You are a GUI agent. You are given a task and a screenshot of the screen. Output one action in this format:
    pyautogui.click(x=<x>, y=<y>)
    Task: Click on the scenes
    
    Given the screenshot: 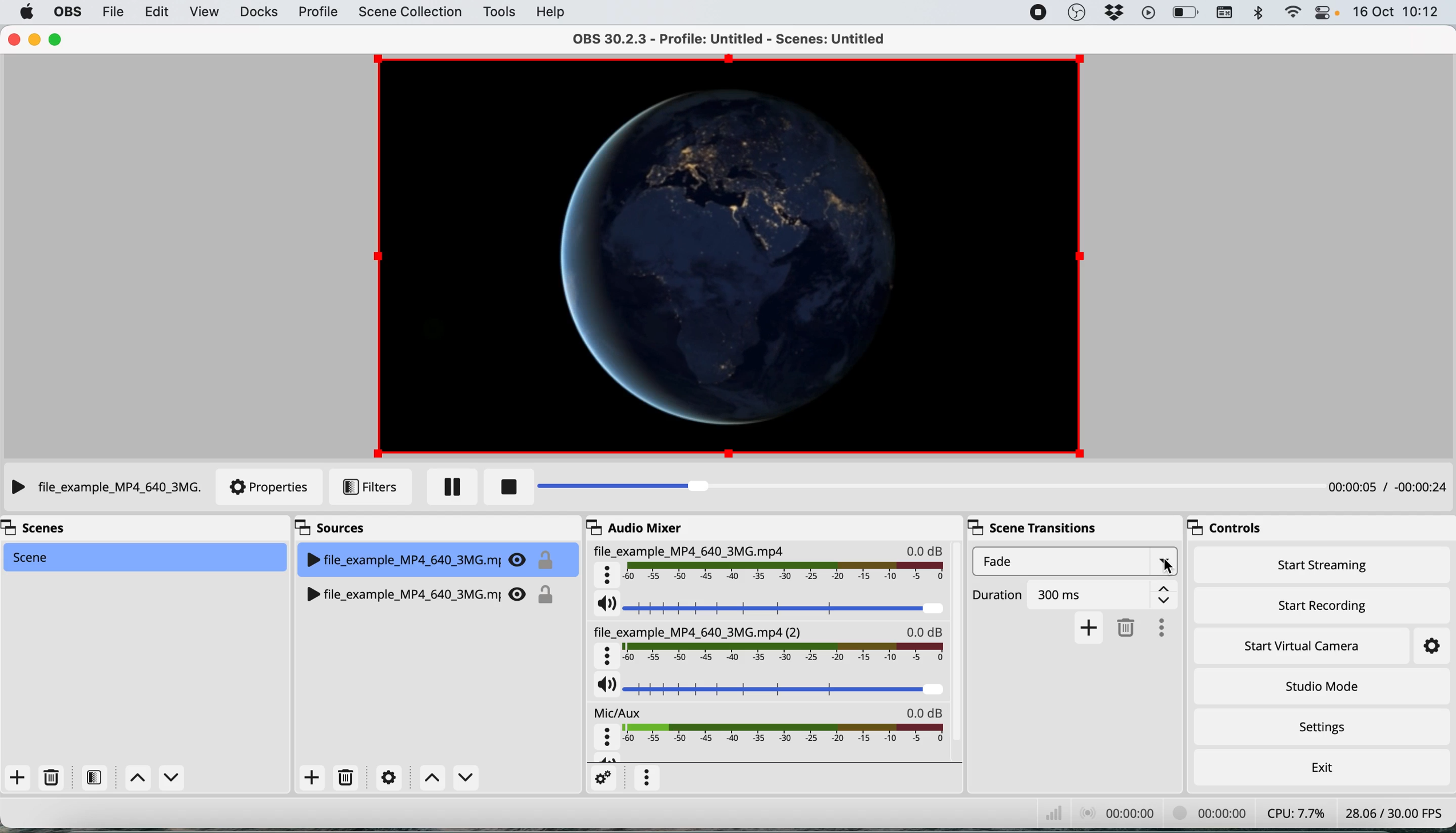 What is the action you would take?
    pyautogui.click(x=39, y=530)
    